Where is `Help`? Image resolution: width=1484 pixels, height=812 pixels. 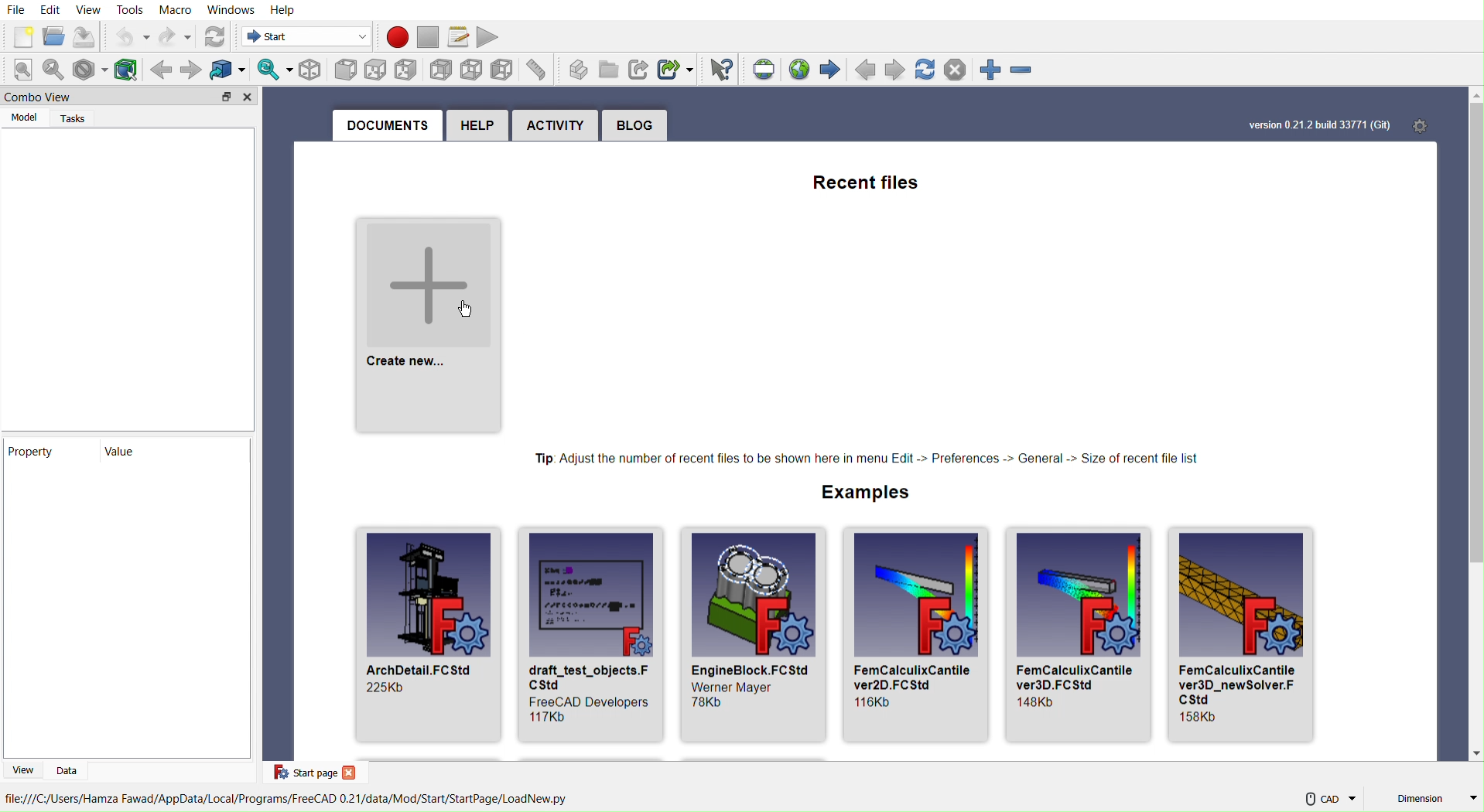 Help is located at coordinates (475, 127).